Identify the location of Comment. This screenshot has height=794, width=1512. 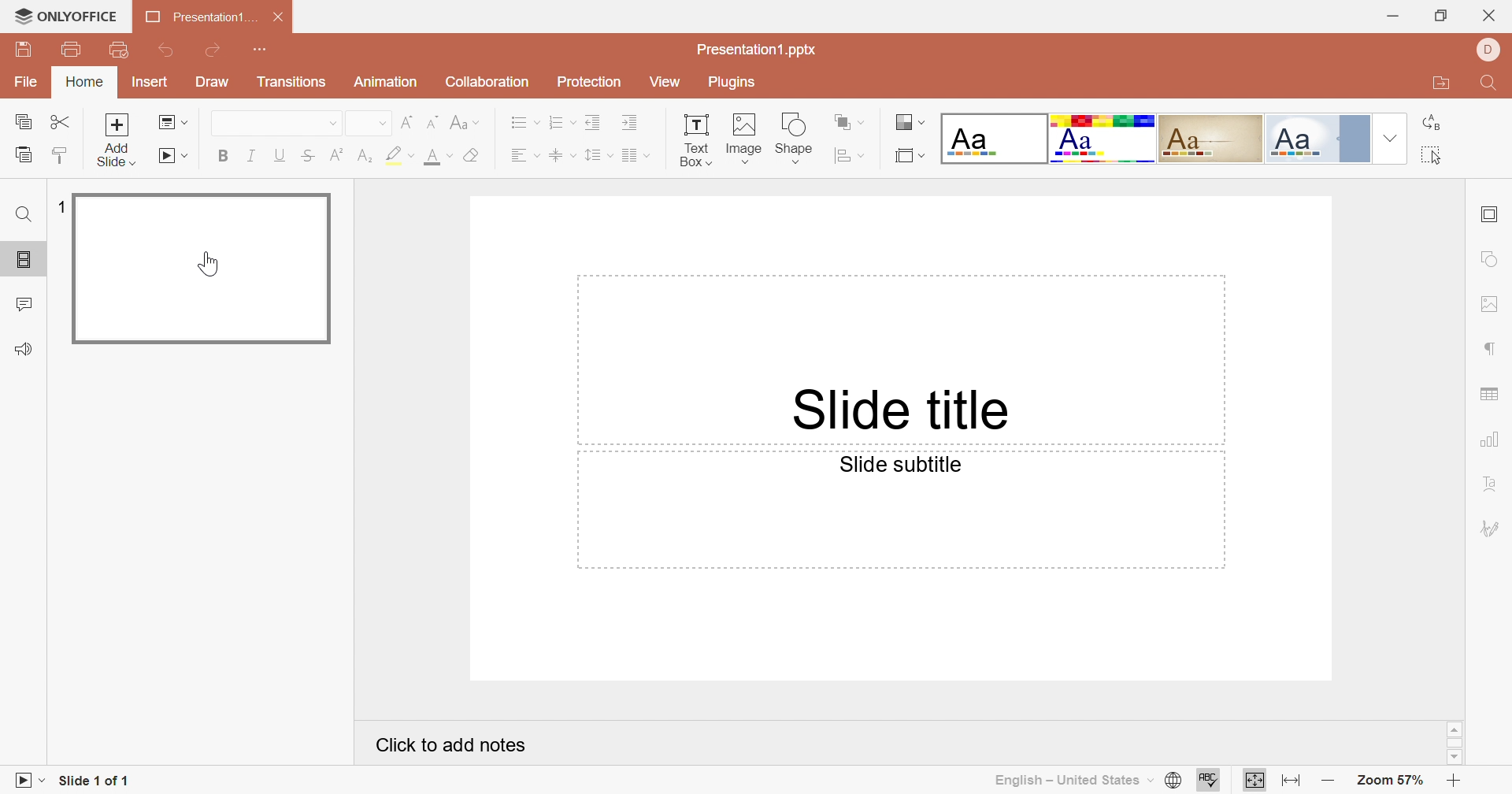
(23, 303).